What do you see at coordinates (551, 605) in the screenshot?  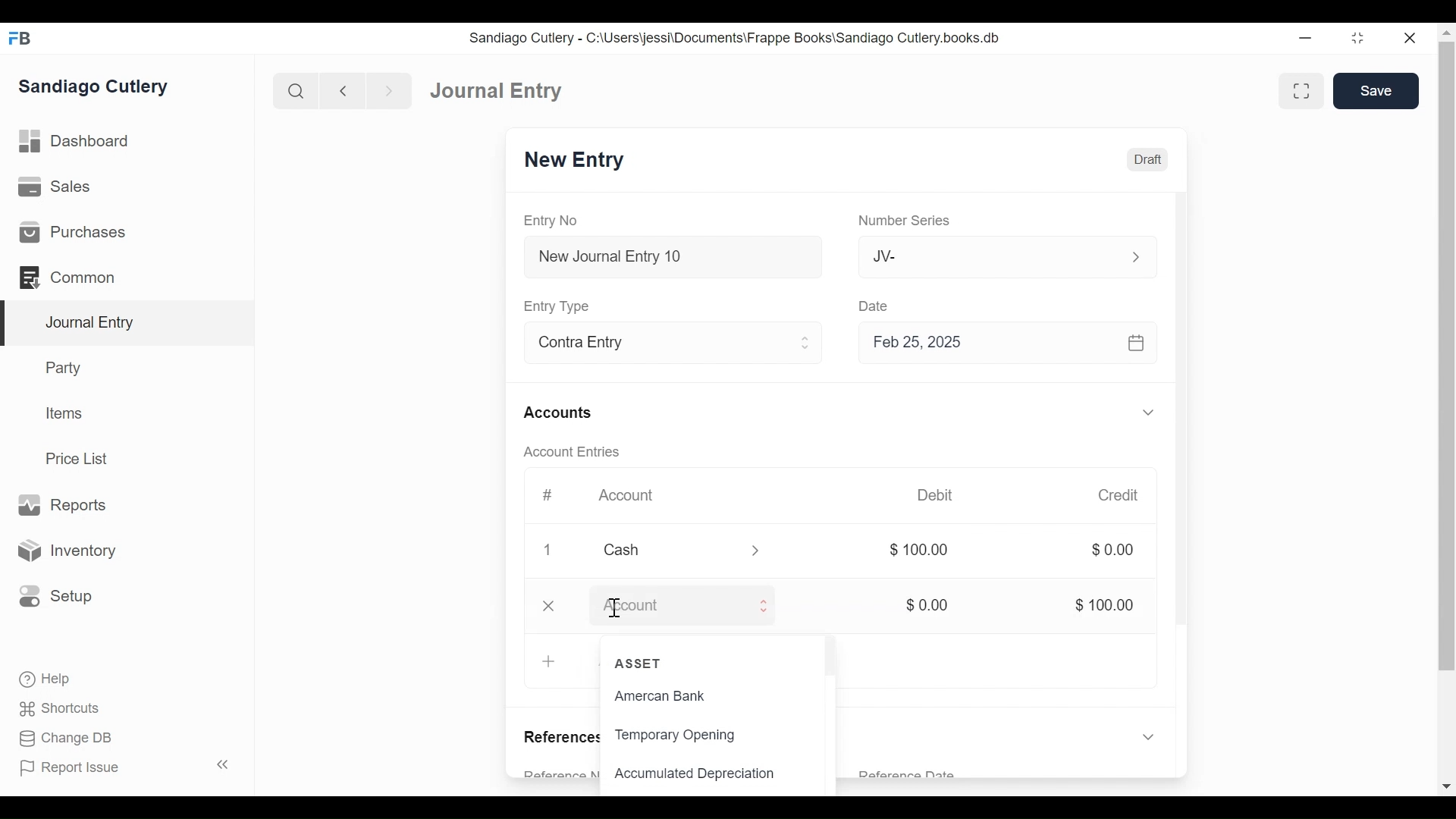 I see `Close` at bounding box center [551, 605].